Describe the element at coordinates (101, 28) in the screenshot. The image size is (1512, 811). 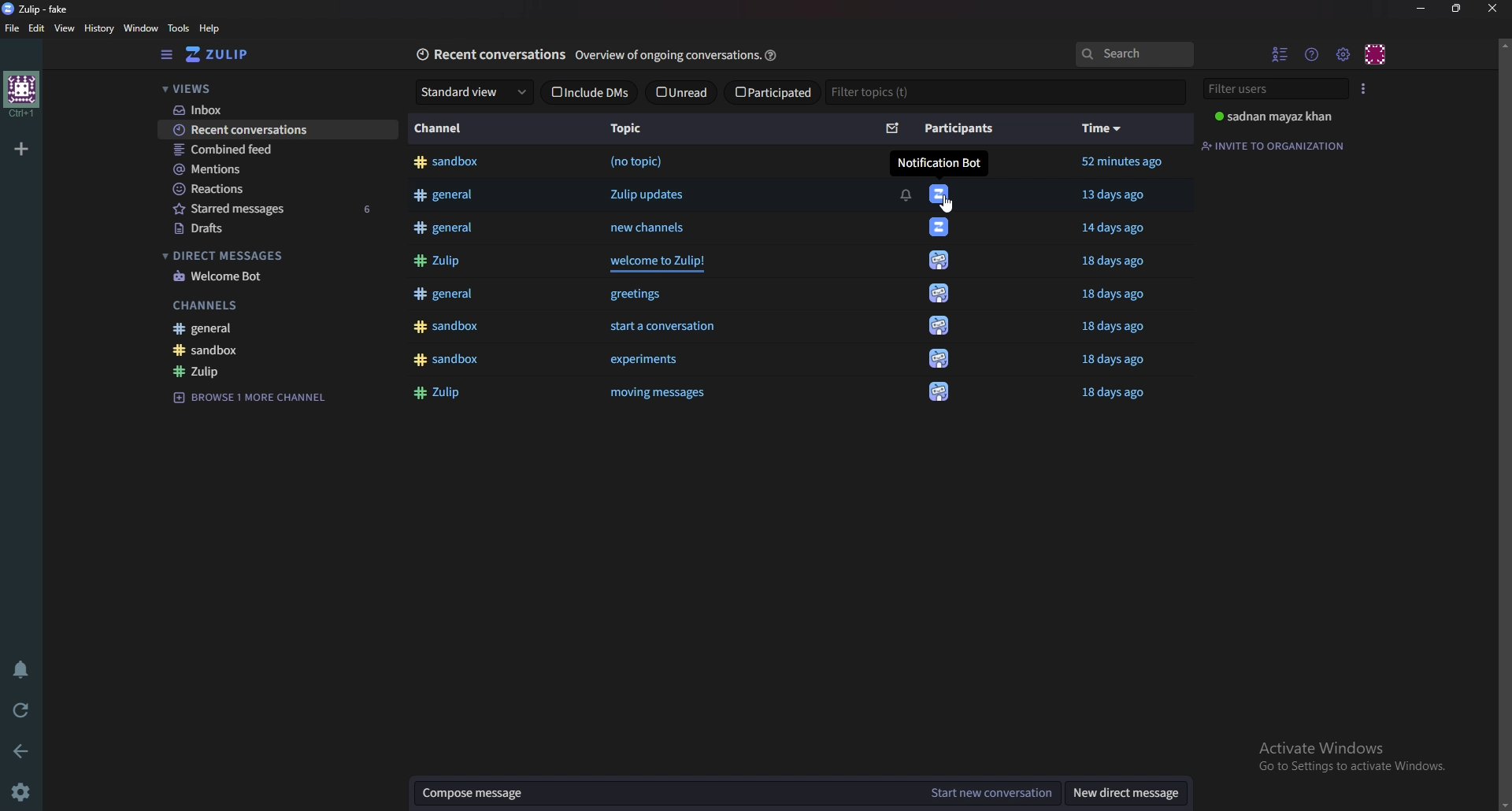
I see `History` at that location.